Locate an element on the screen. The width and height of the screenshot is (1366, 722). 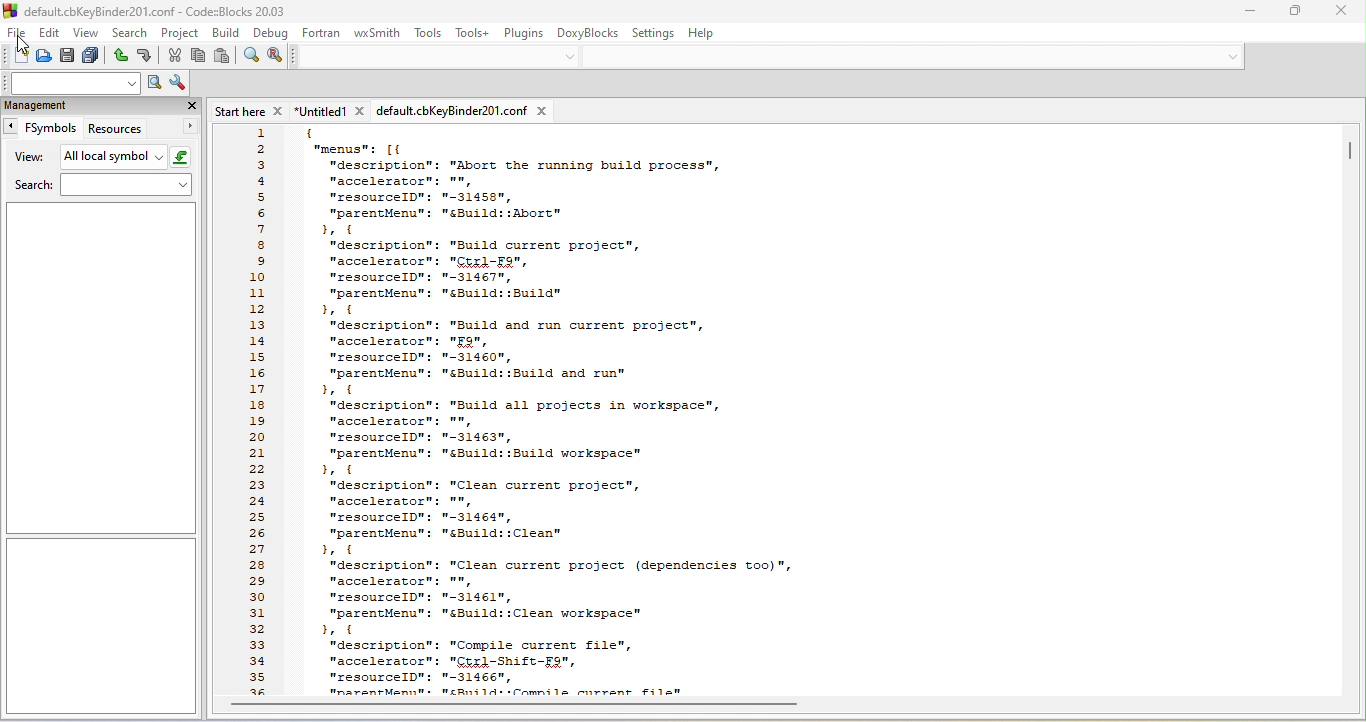
search is located at coordinates (100, 185).